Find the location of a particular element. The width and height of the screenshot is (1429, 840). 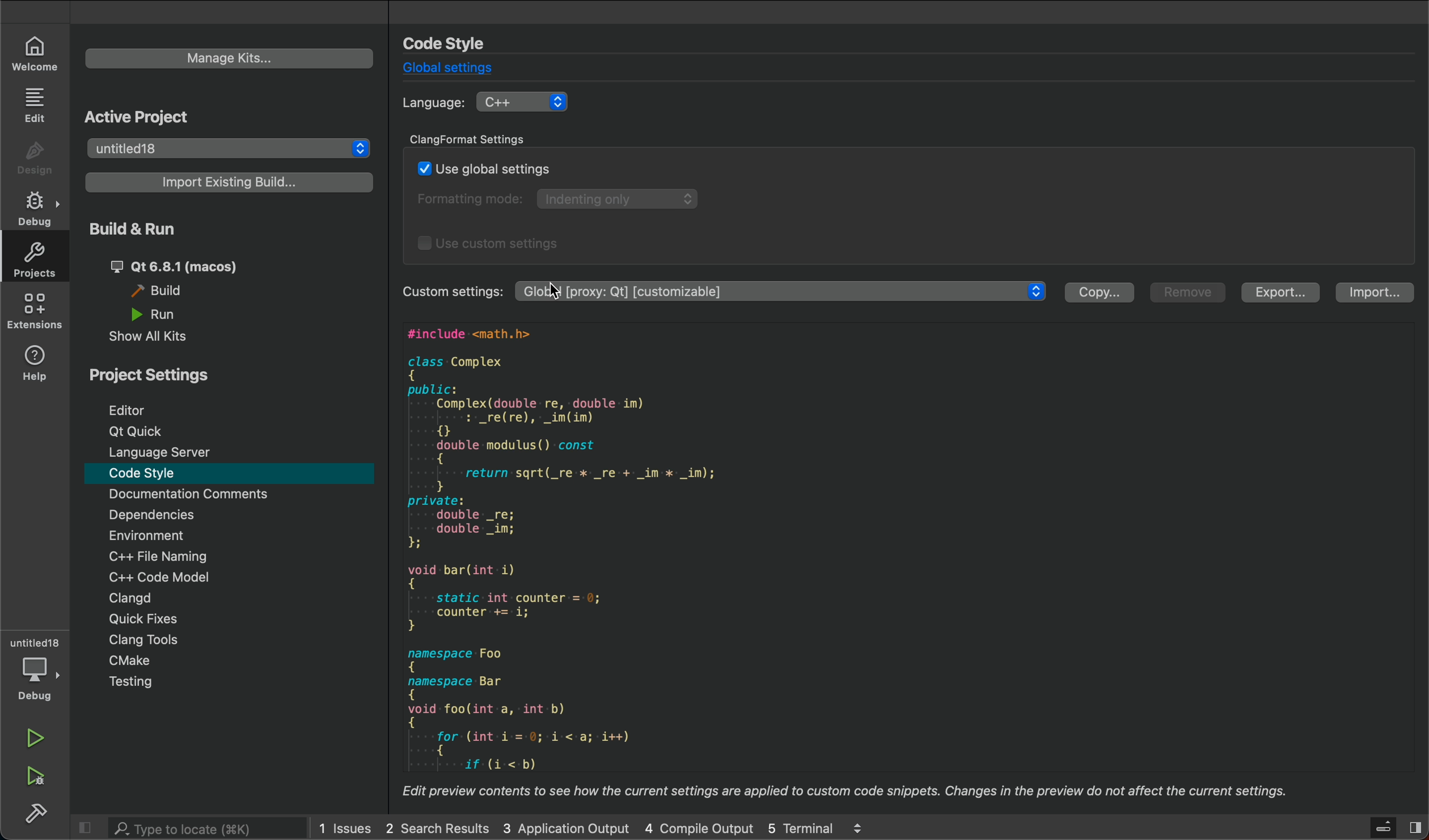

cmake is located at coordinates (139, 663).